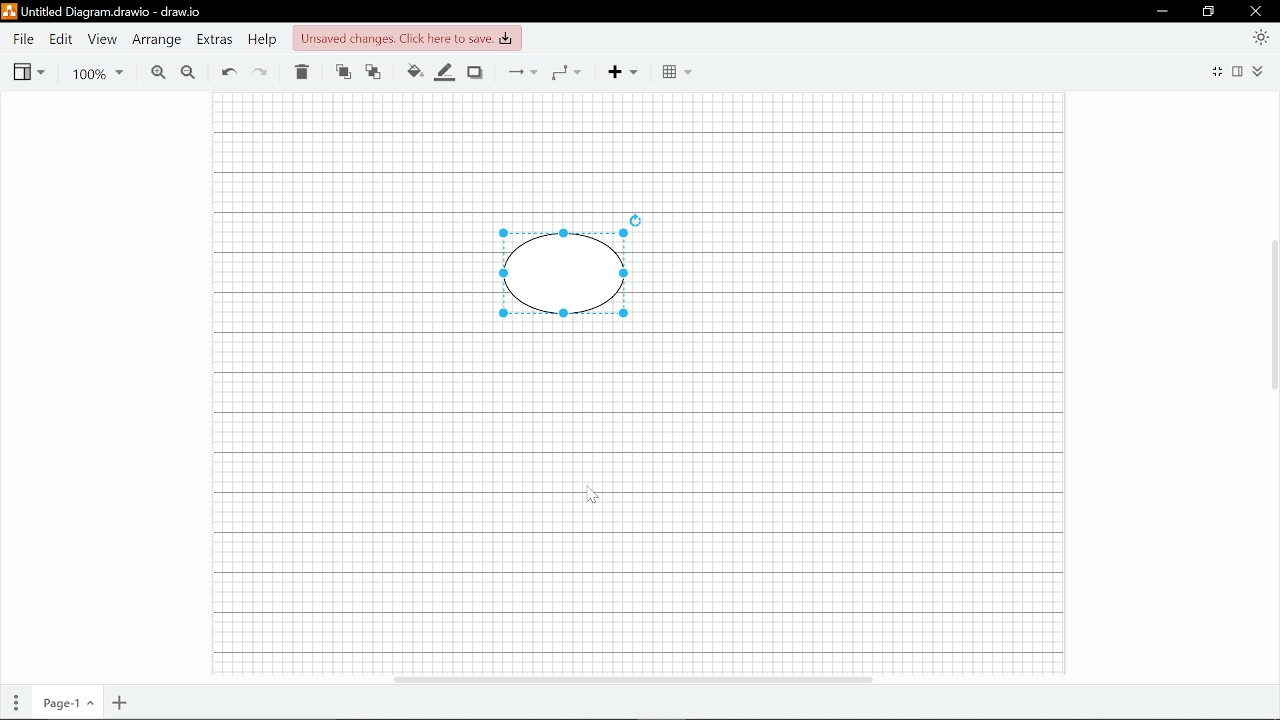 This screenshot has height=720, width=1280. Describe the element at coordinates (475, 73) in the screenshot. I see `Shadow` at that location.